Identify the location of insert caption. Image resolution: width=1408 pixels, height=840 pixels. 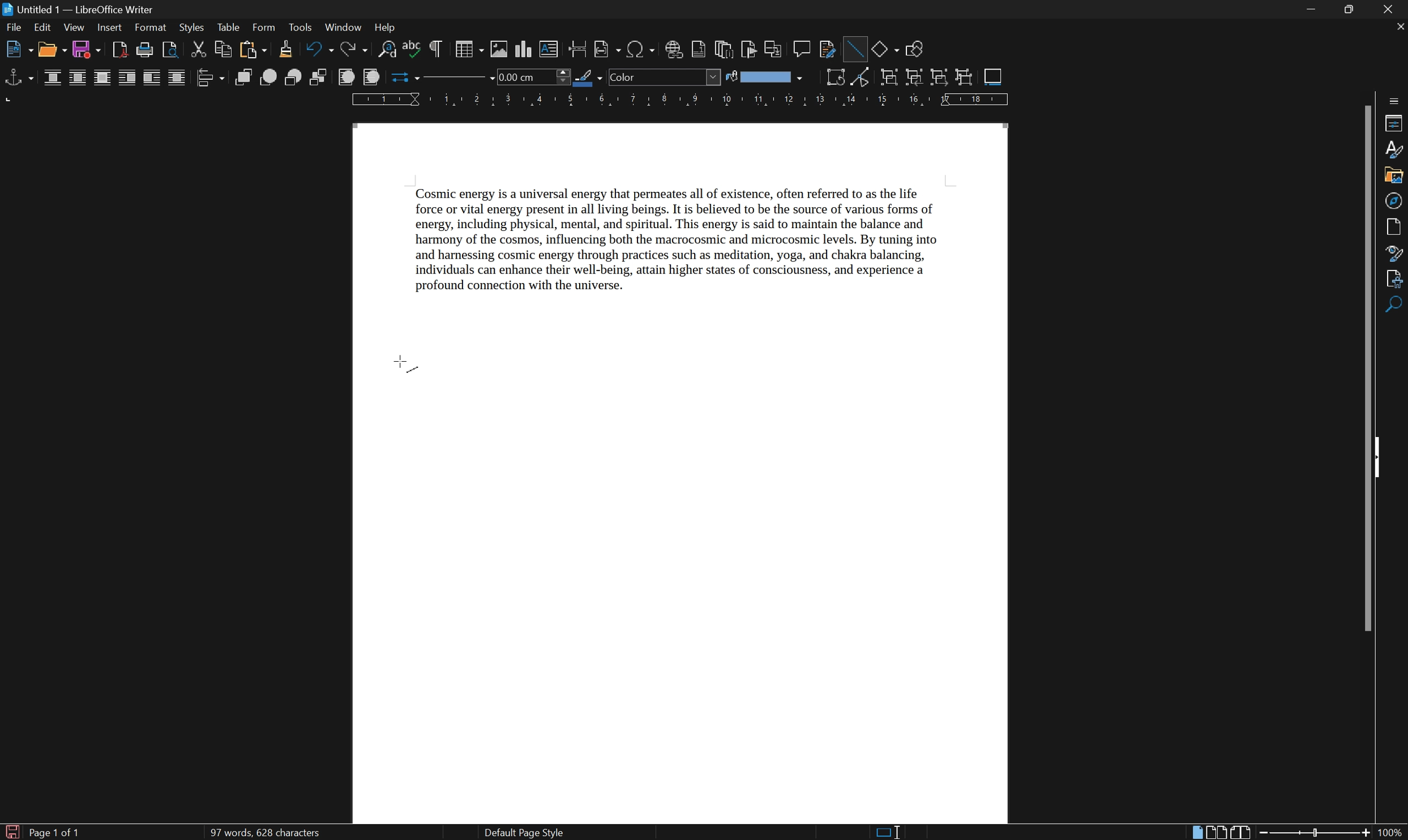
(993, 76).